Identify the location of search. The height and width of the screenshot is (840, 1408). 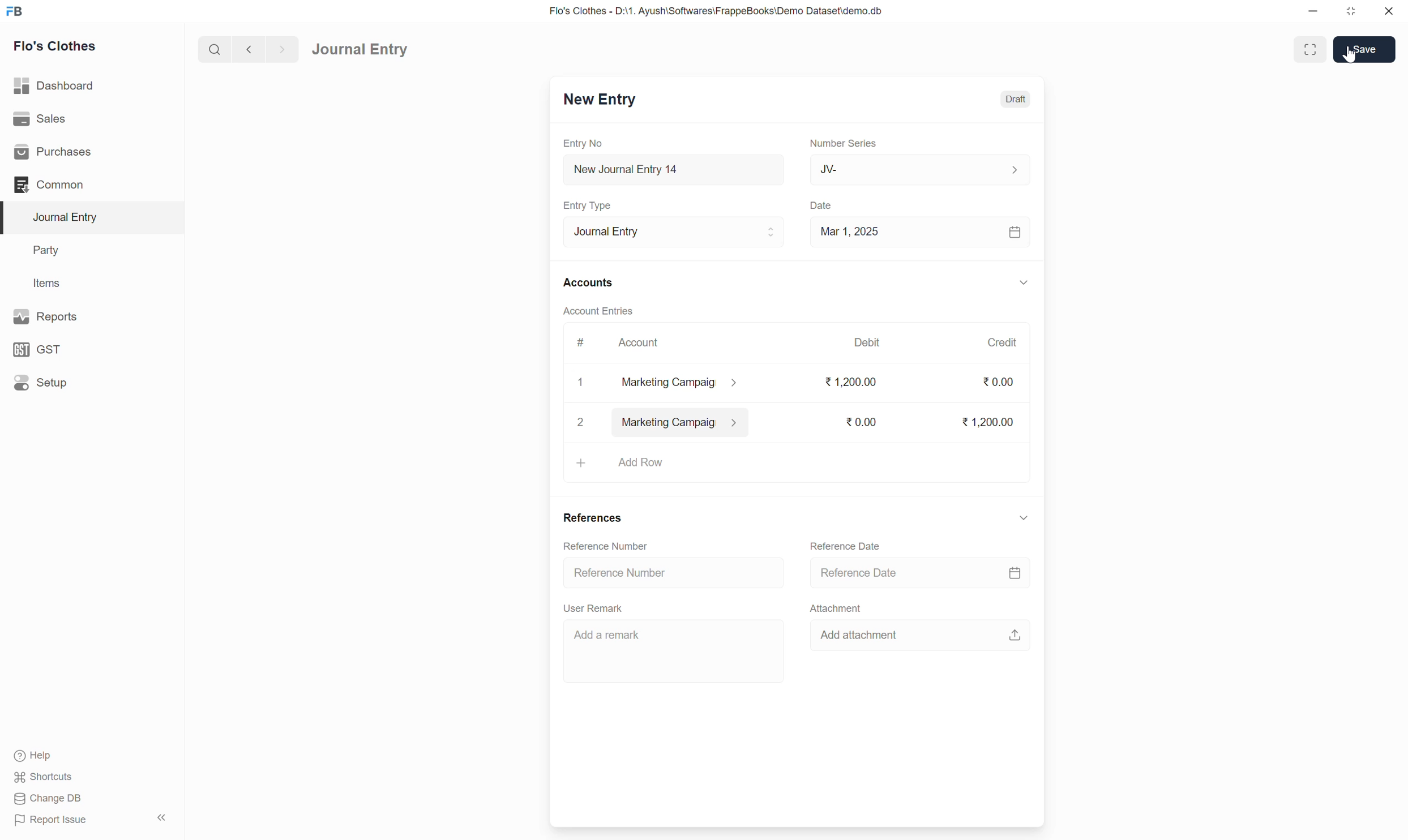
(213, 49).